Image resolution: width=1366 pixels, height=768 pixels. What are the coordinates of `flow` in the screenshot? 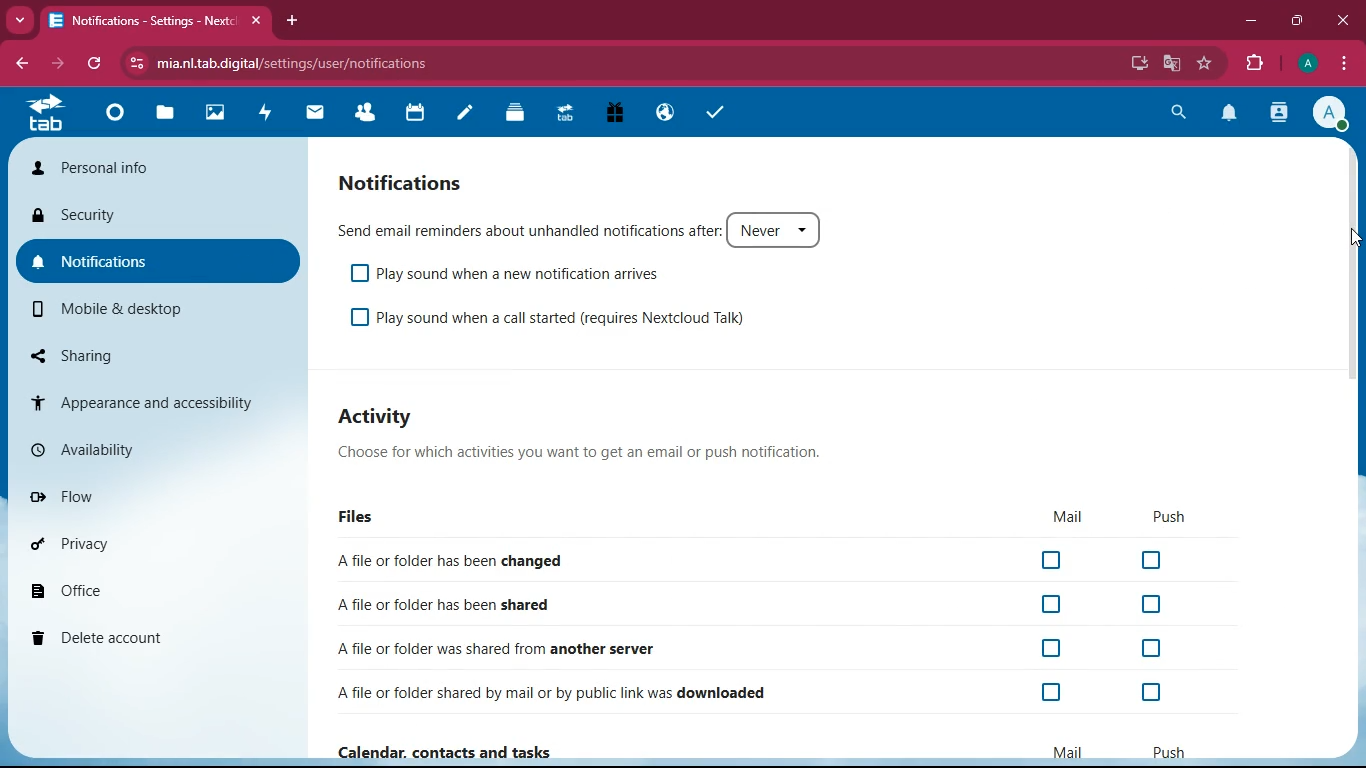 It's located at (159, 498).